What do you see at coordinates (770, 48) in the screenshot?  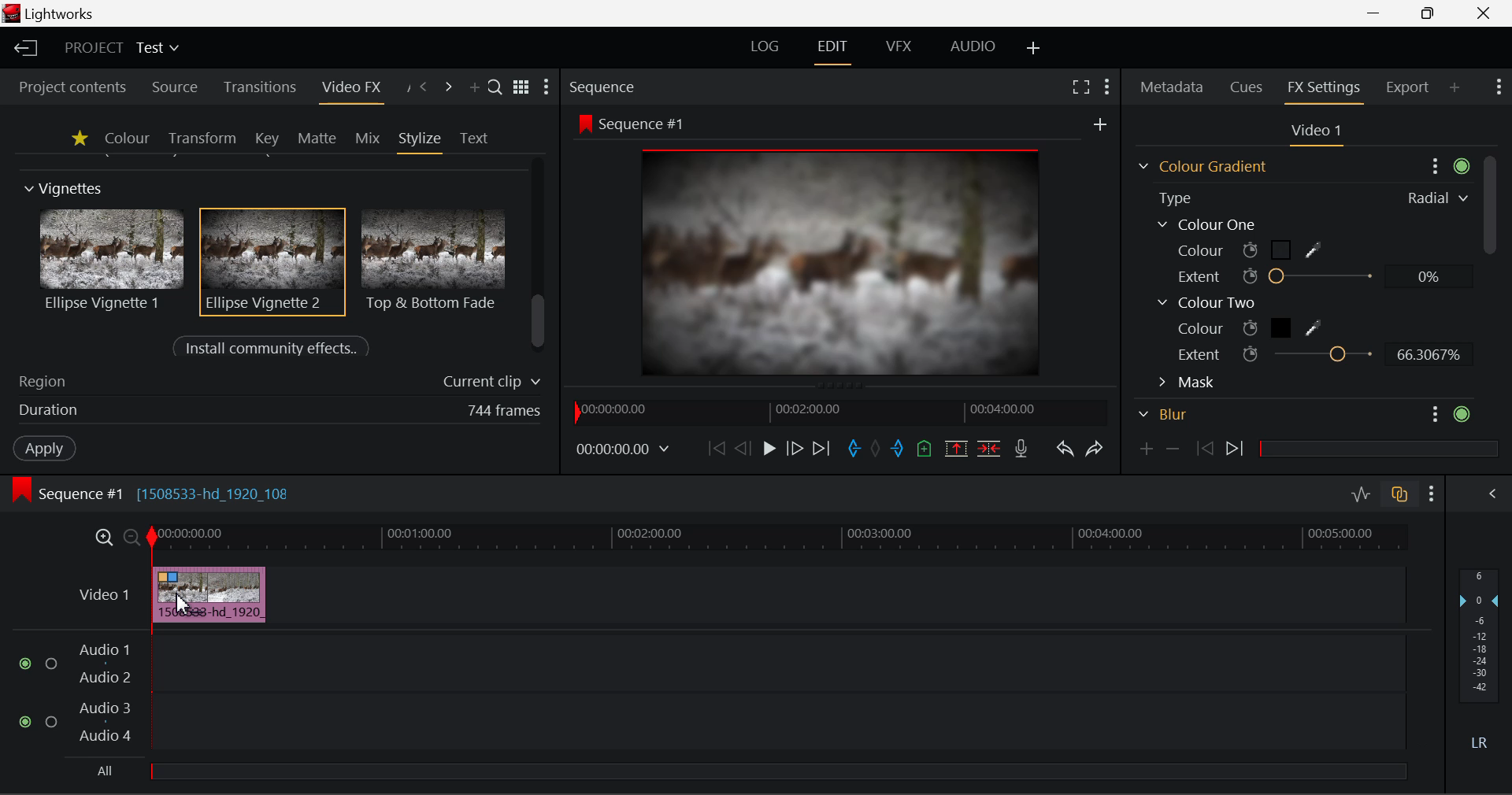 I see `LOG Layout` at bounding box center [770, 48].